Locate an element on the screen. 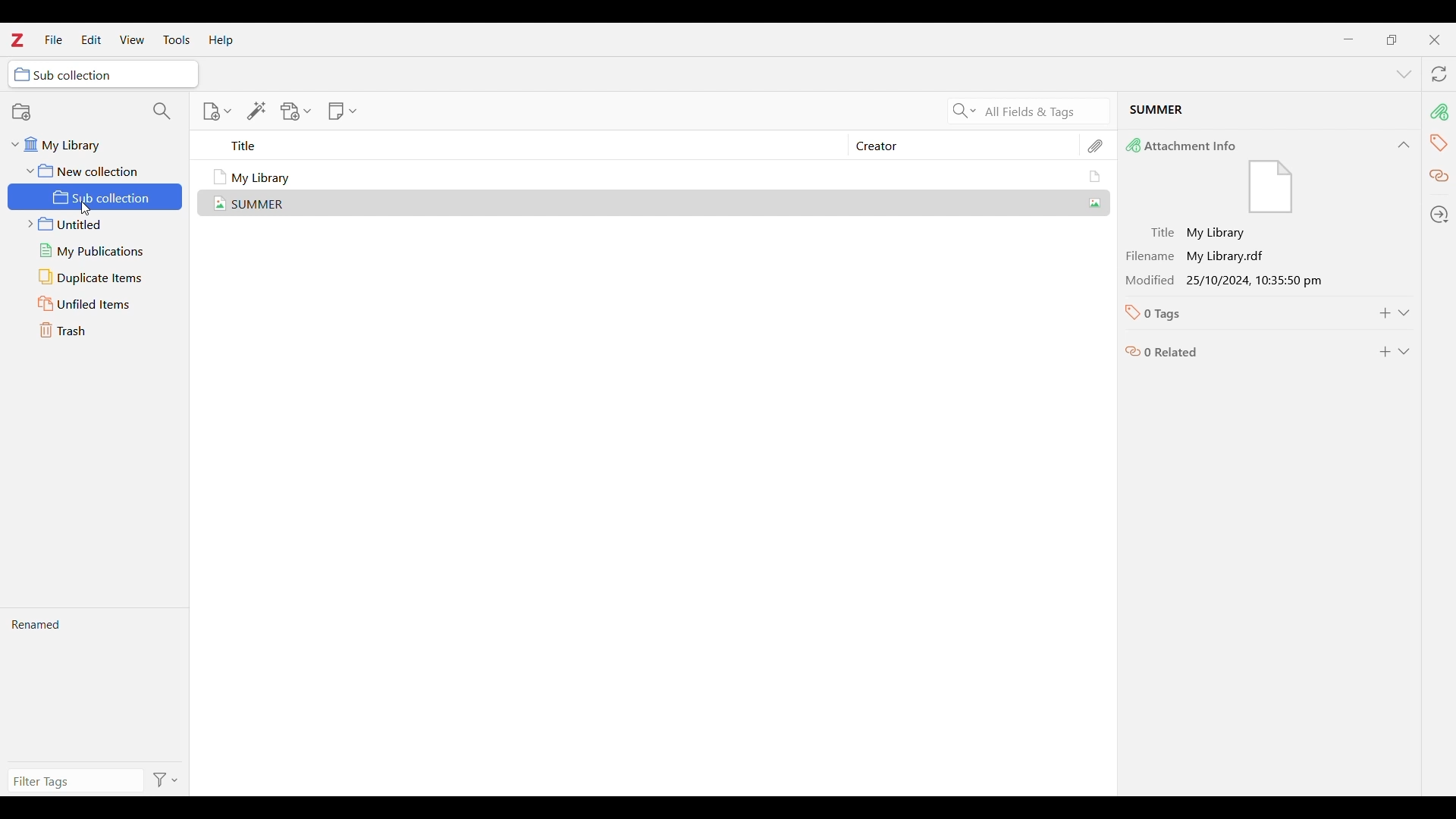  Duplicate items is located at coordinates (97, 277).